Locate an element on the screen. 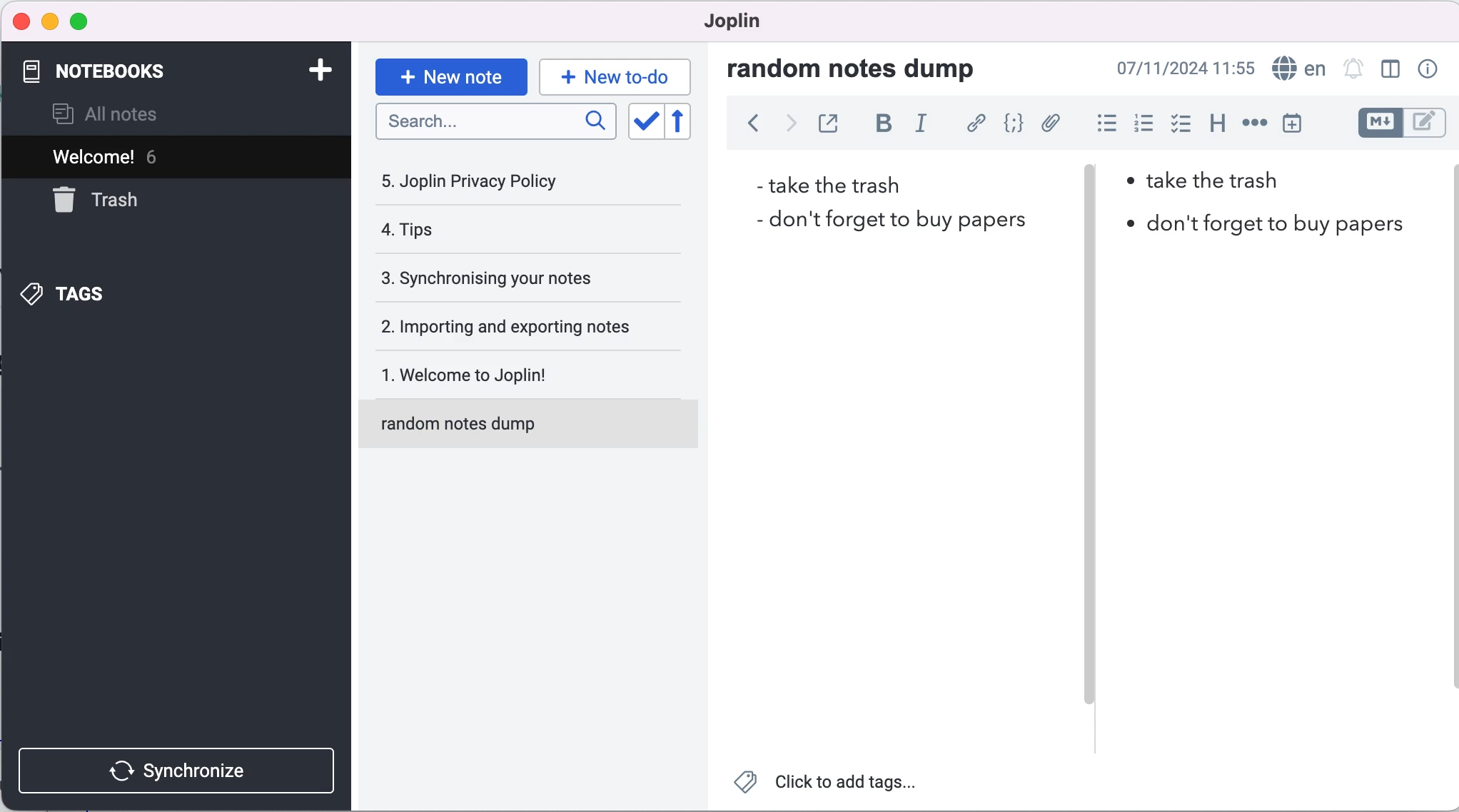  importing and exporting notes is located at coordinates (515, 325).